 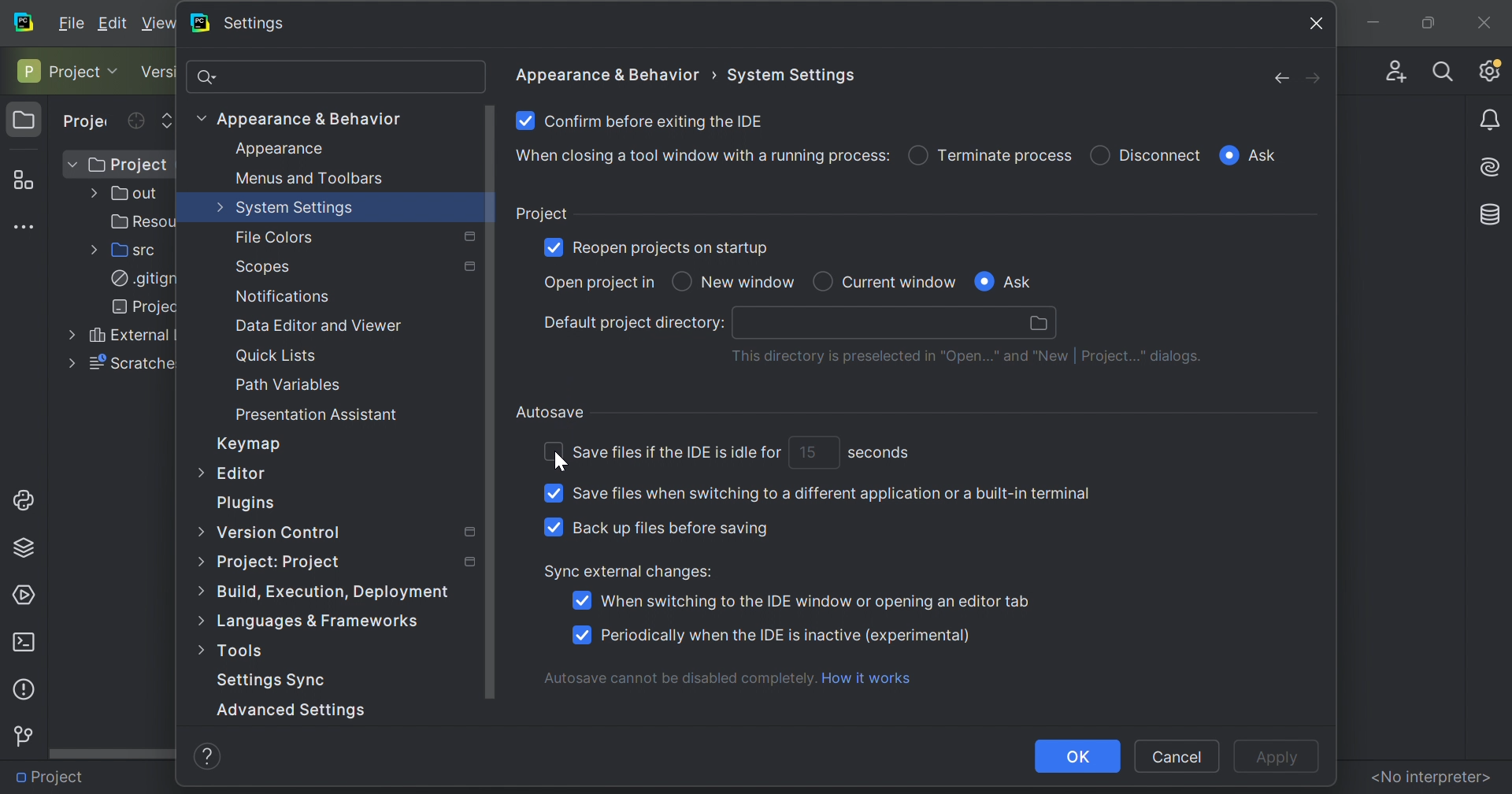 What do you see at coordinates (289, 384) in the screenshot?
I see `Path Variables` at bounding box center [289, 384].